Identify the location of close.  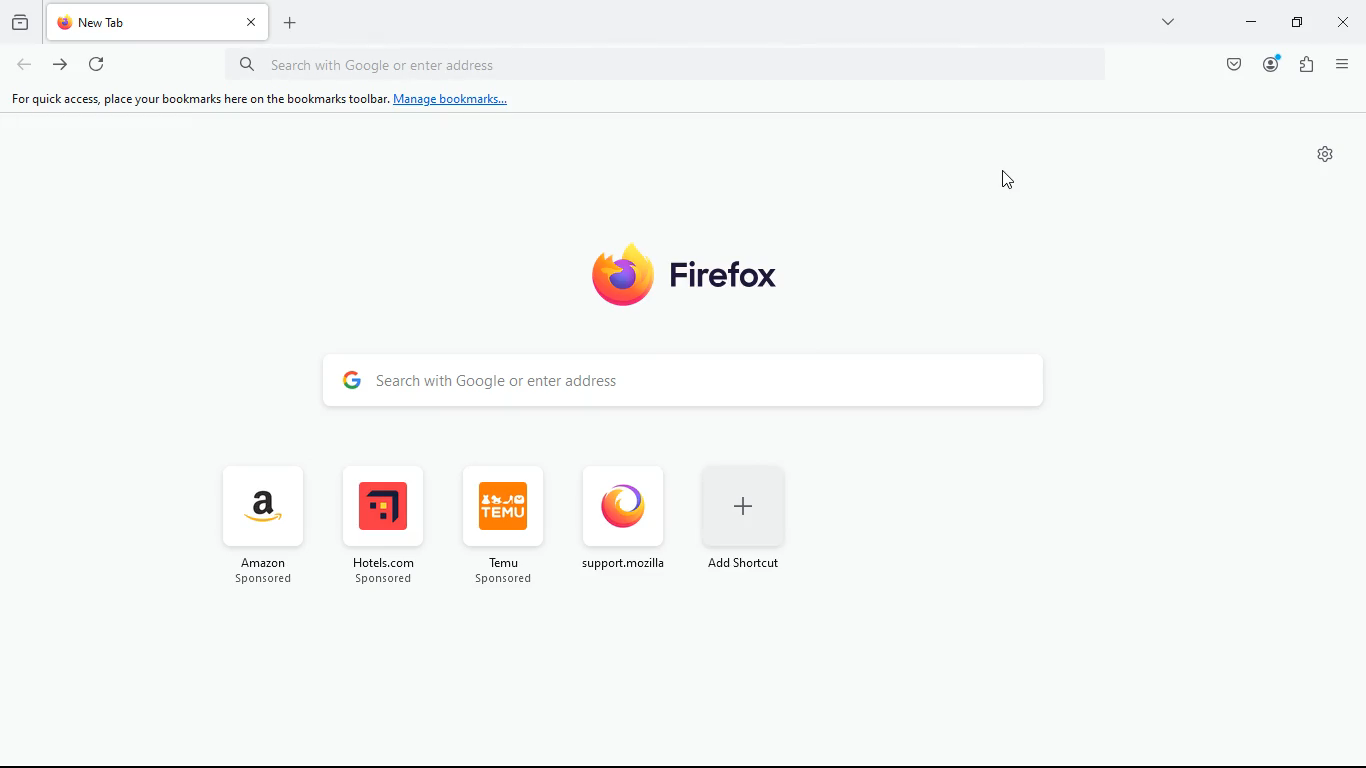
(1345, 25).